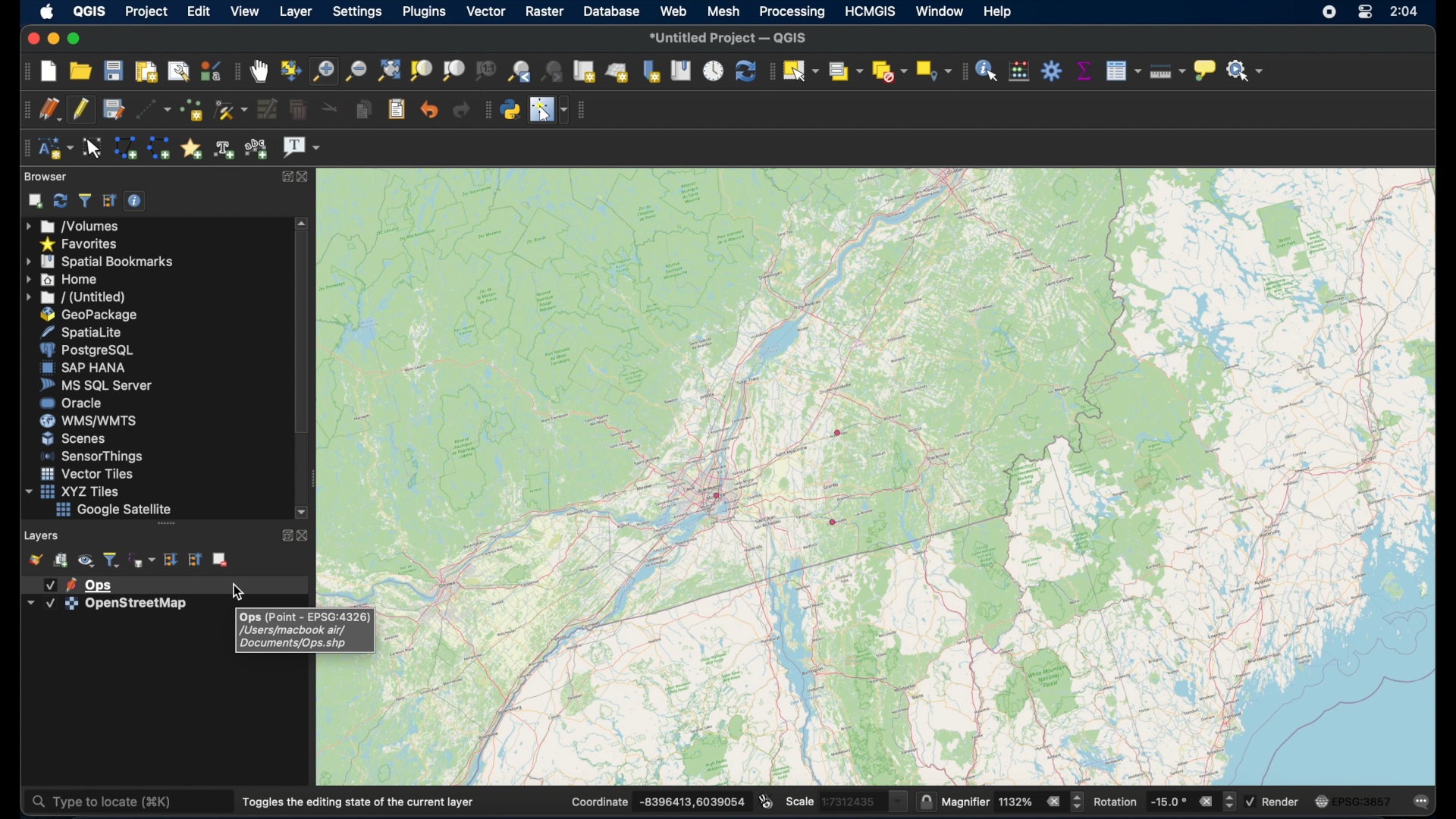 The image size is (1456, 819). What do you see at coordinates (86, 199) in the screenshot?
I see `filter browser` at bounding box center [86, 199].